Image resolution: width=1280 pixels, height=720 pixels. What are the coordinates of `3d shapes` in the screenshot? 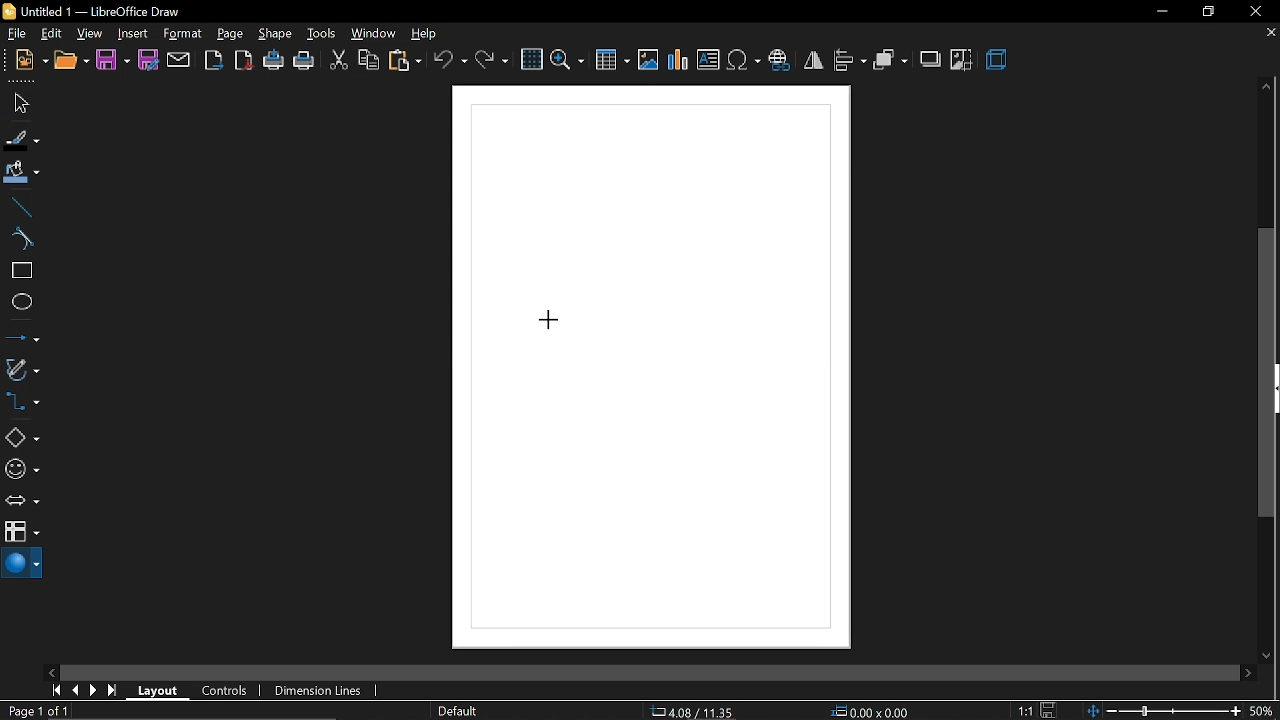 It's located at (22, 565).